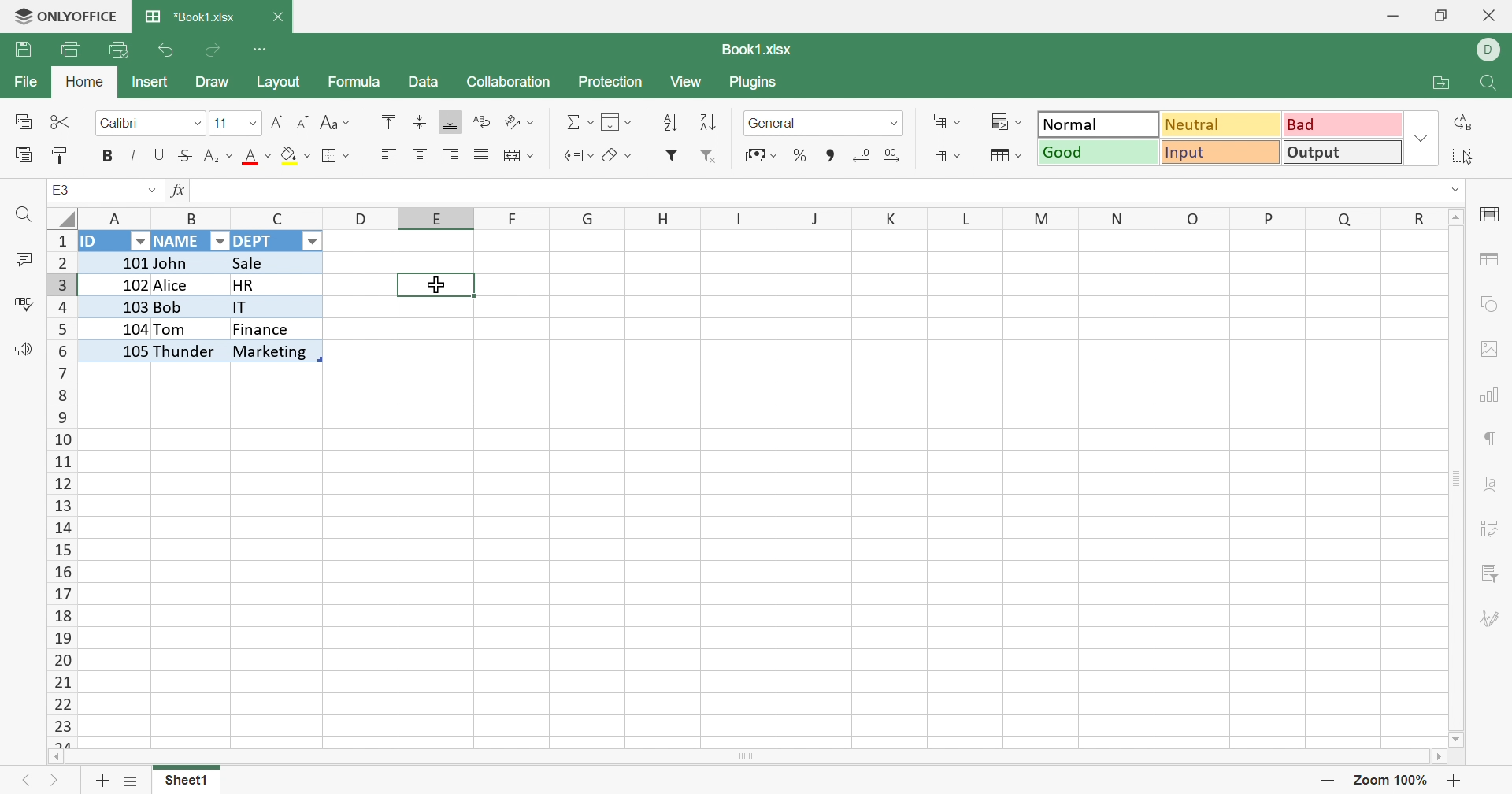 The width and height of the screenshot is (1512, 794). What do you see at coordinates (891, 124) in the screenshot?
I see `Drop Down` at bounding box center [891, 124].